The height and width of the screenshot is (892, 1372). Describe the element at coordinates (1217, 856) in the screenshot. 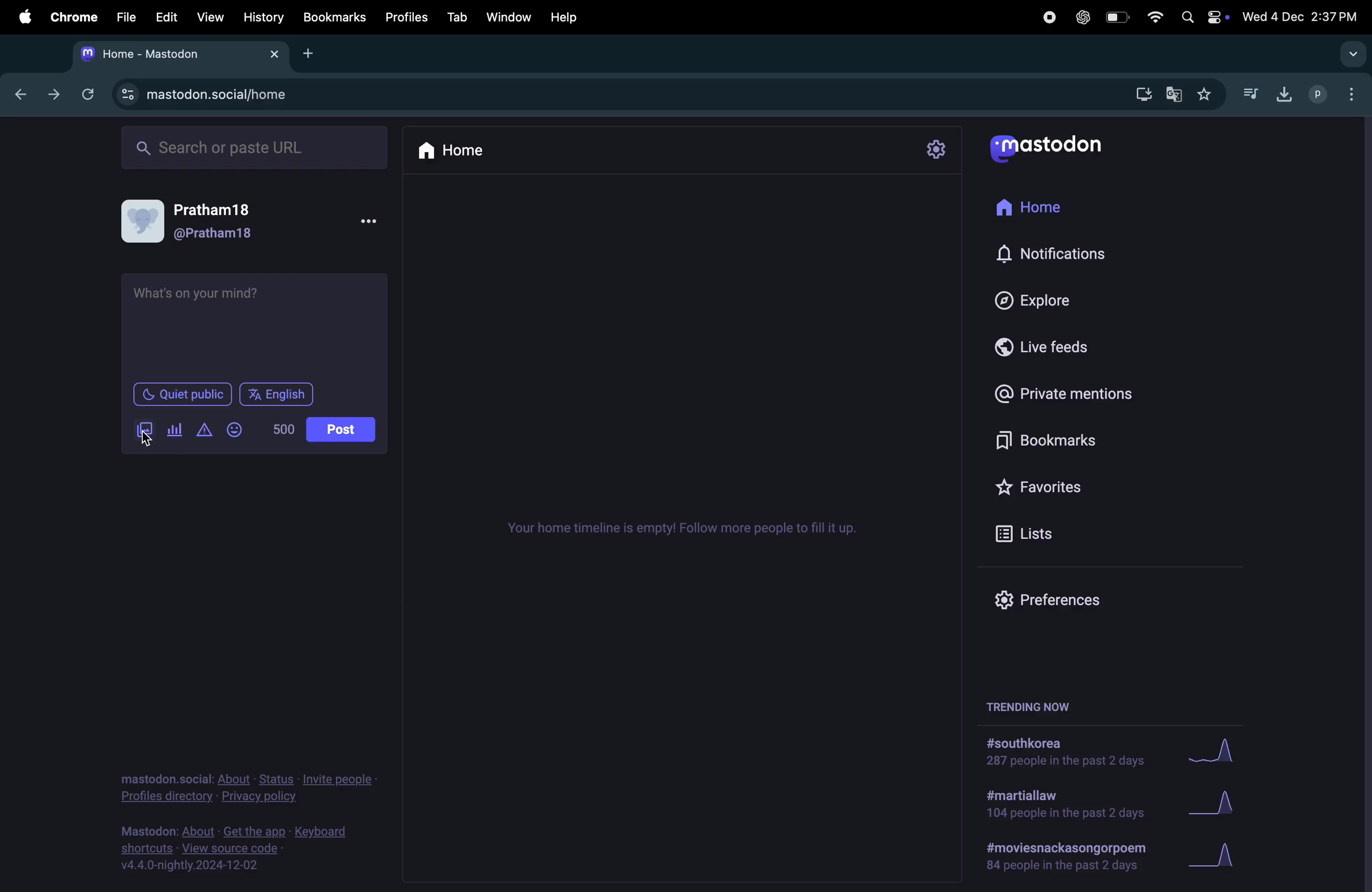

I see `Graph` at that location.